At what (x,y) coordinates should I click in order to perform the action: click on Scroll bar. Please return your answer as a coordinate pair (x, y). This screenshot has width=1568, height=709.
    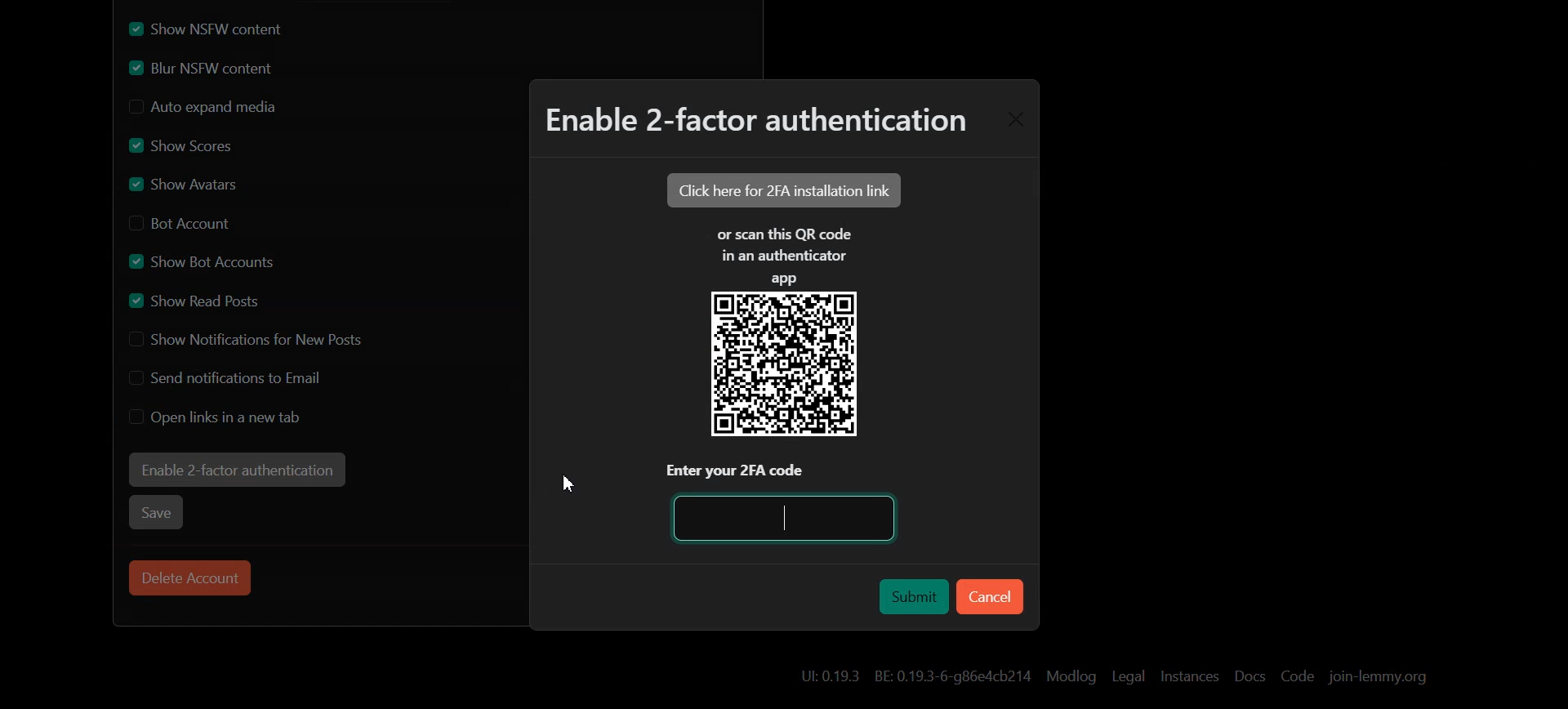
    Looking at the image, I should click on (1554, 354).